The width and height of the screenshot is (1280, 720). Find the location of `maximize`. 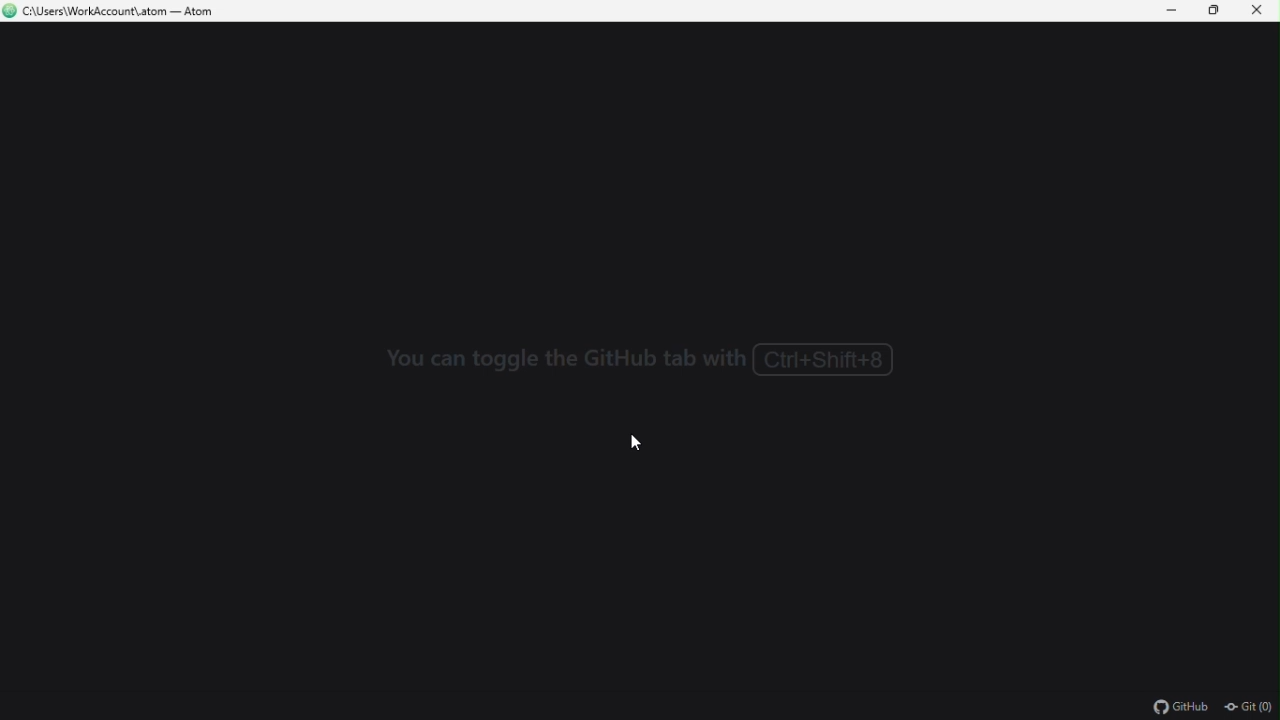

maximize is located at coordinates (1217, 12).